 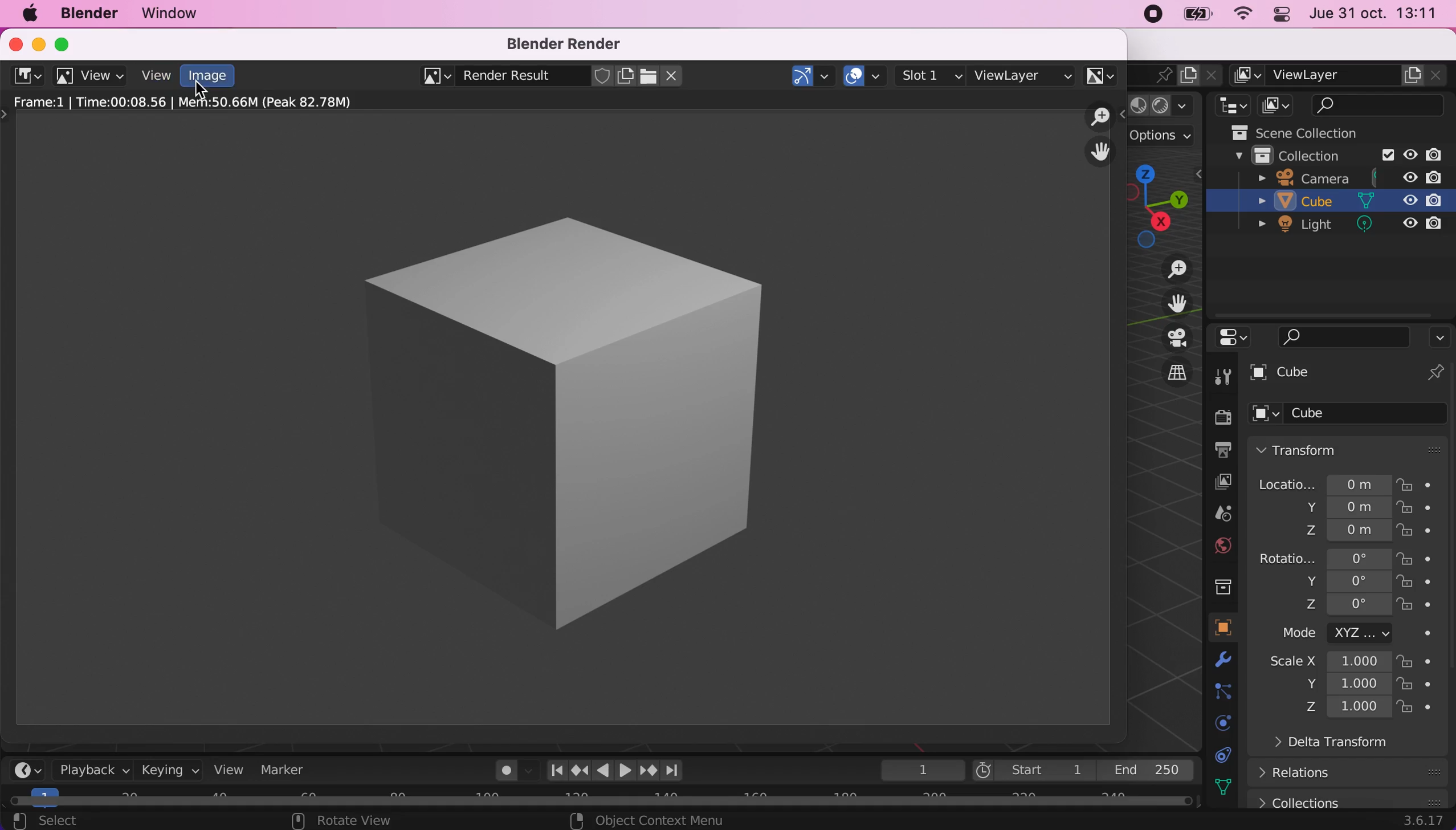 I want to click on scale measures, so click(x=1331, y=685).